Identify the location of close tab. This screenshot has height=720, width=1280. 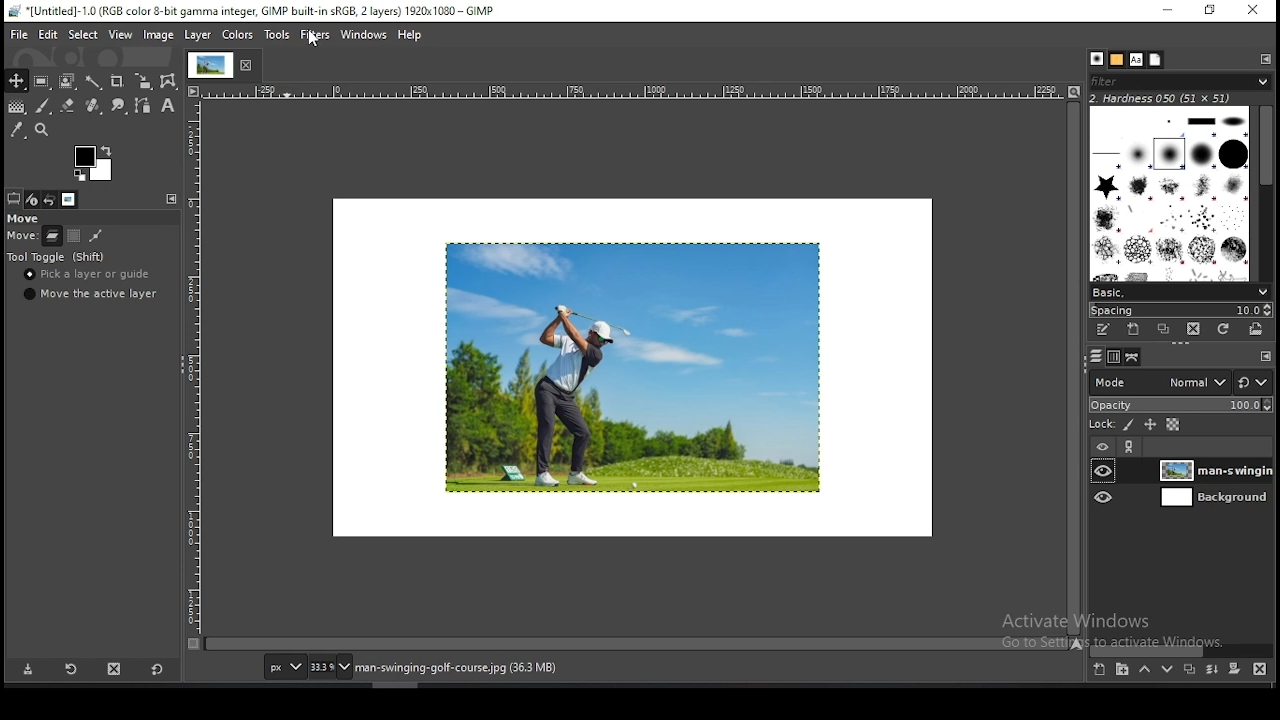
(248, 65).